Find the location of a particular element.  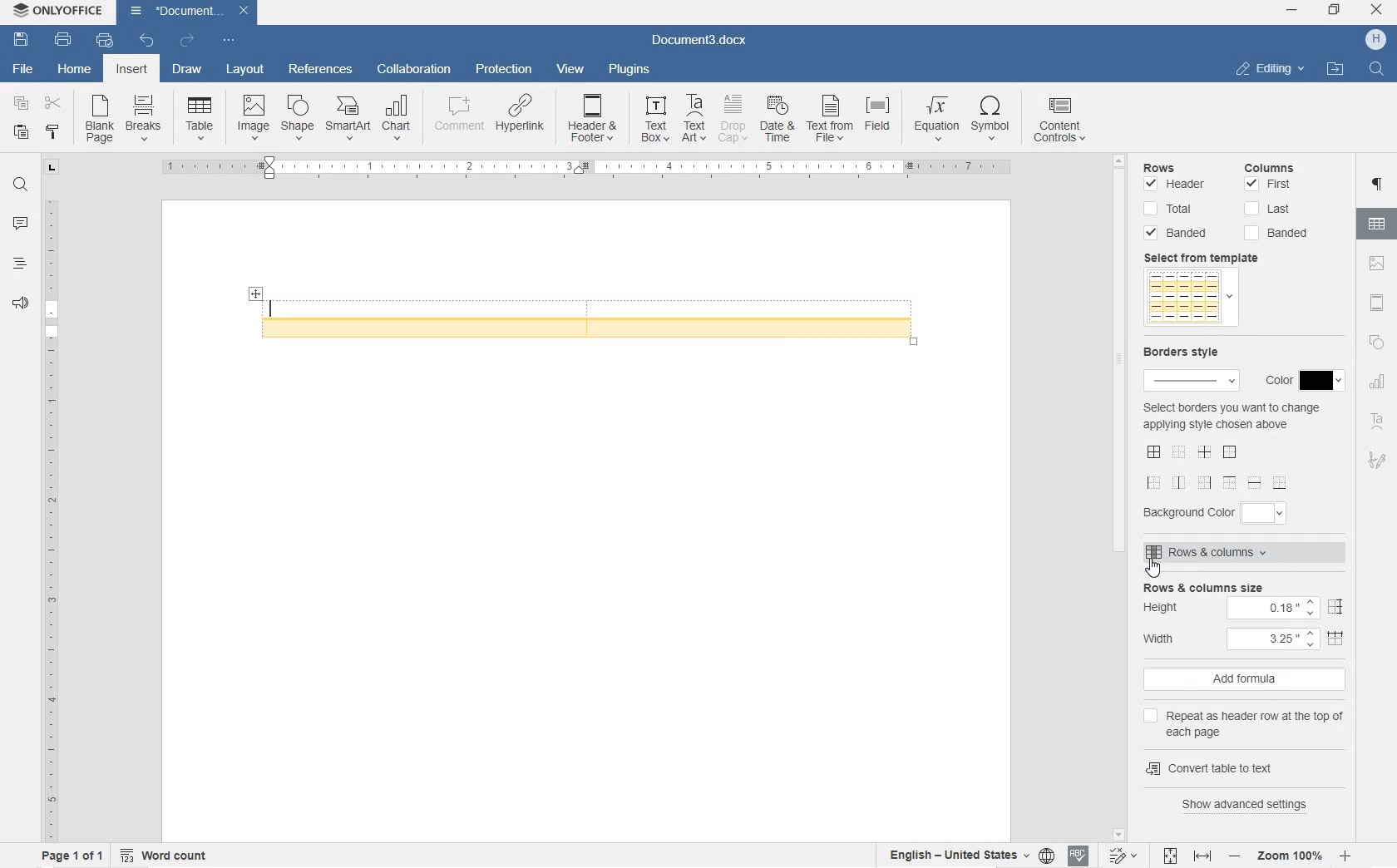

Document3.docx is located at coordinates (700, 38).